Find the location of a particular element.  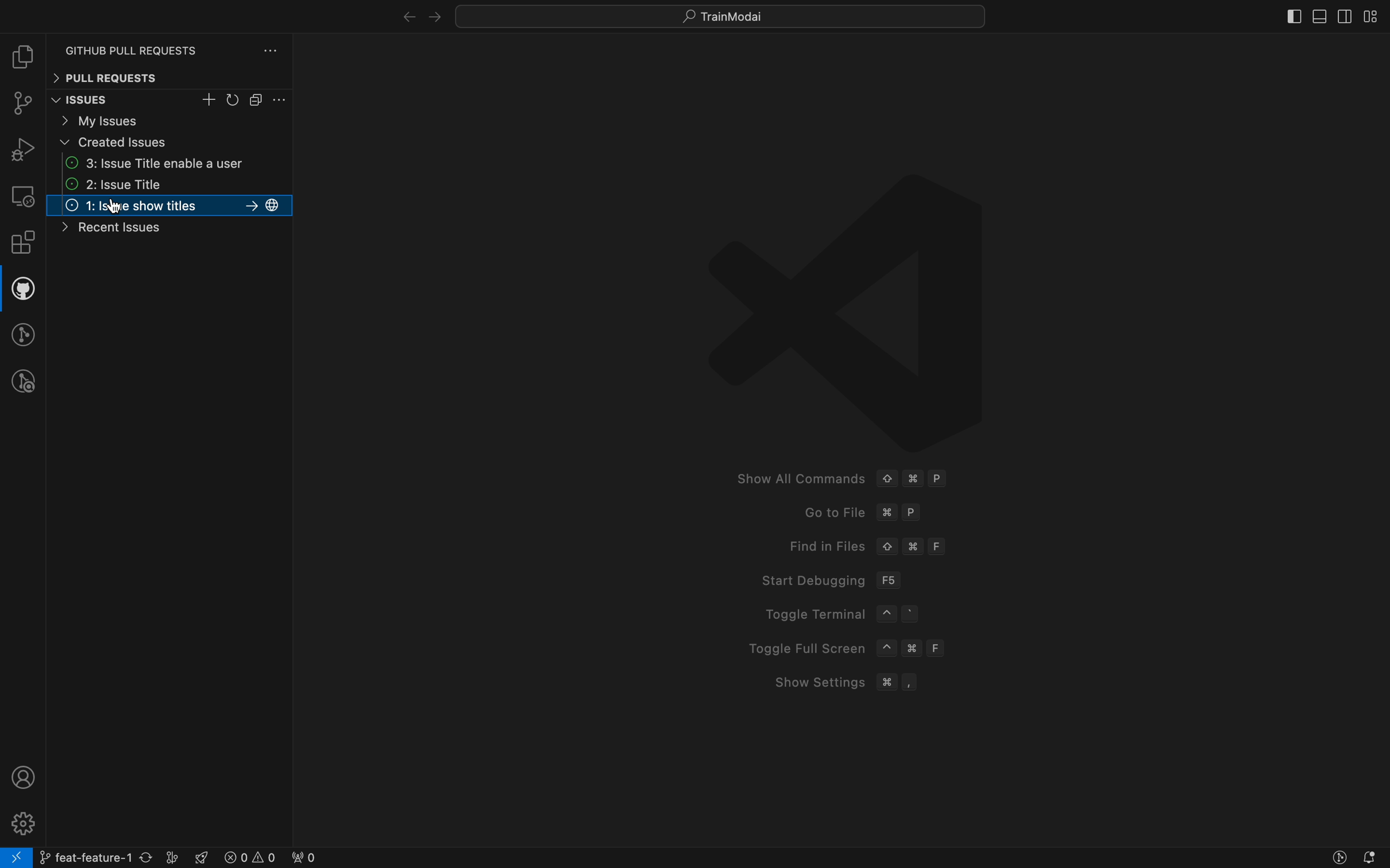

layouts is located at coordinates (1371, 16).